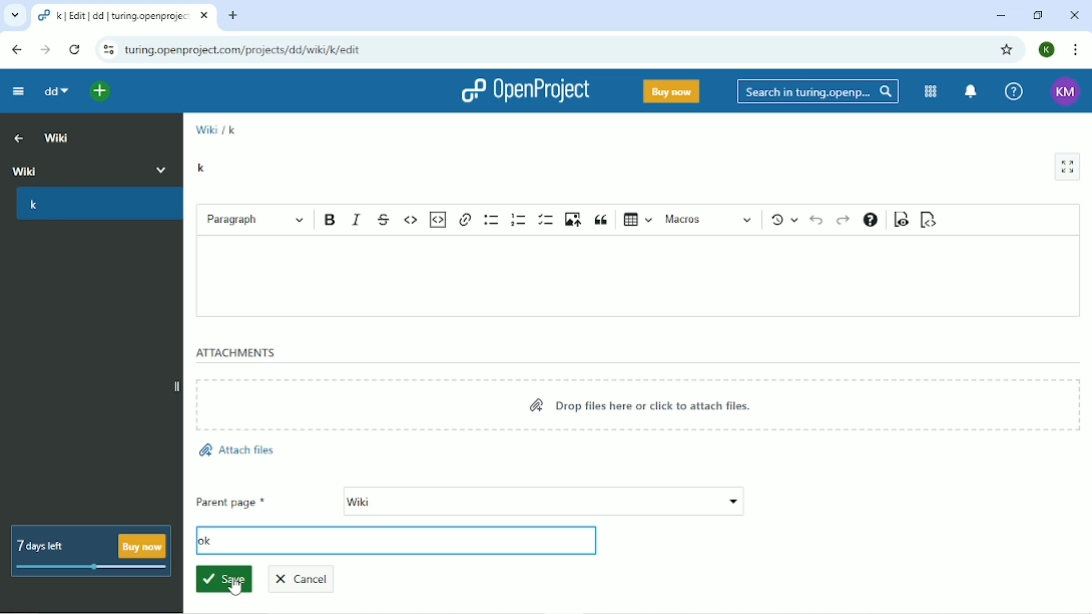 Image resolution: width=1092 pixels, height=614 pixels. I want to click on 7 days left , so click(90, 550).